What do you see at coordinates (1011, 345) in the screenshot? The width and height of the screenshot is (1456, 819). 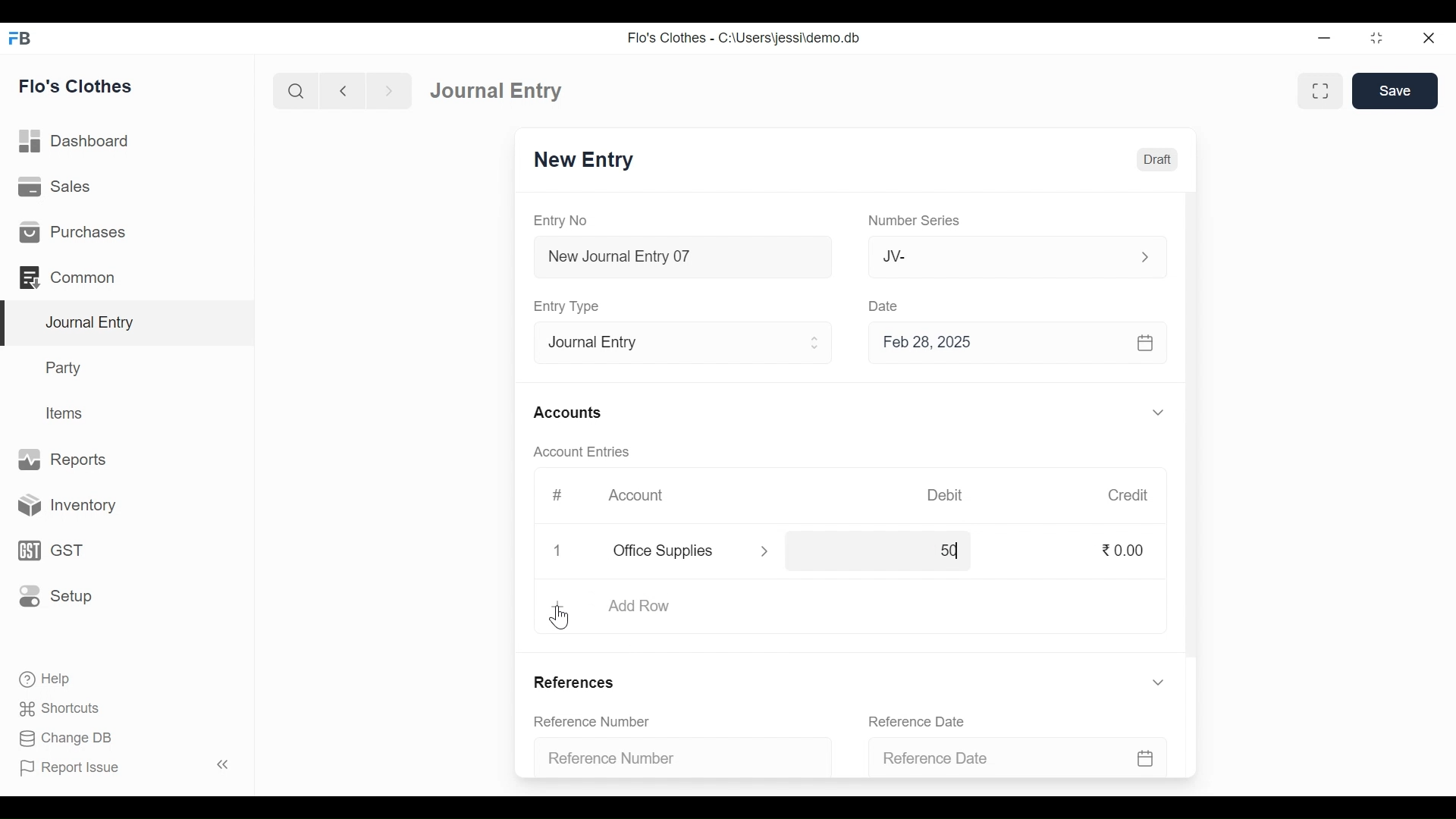 I see `Feb 28, 2025` at bounding box center [1011, 345].